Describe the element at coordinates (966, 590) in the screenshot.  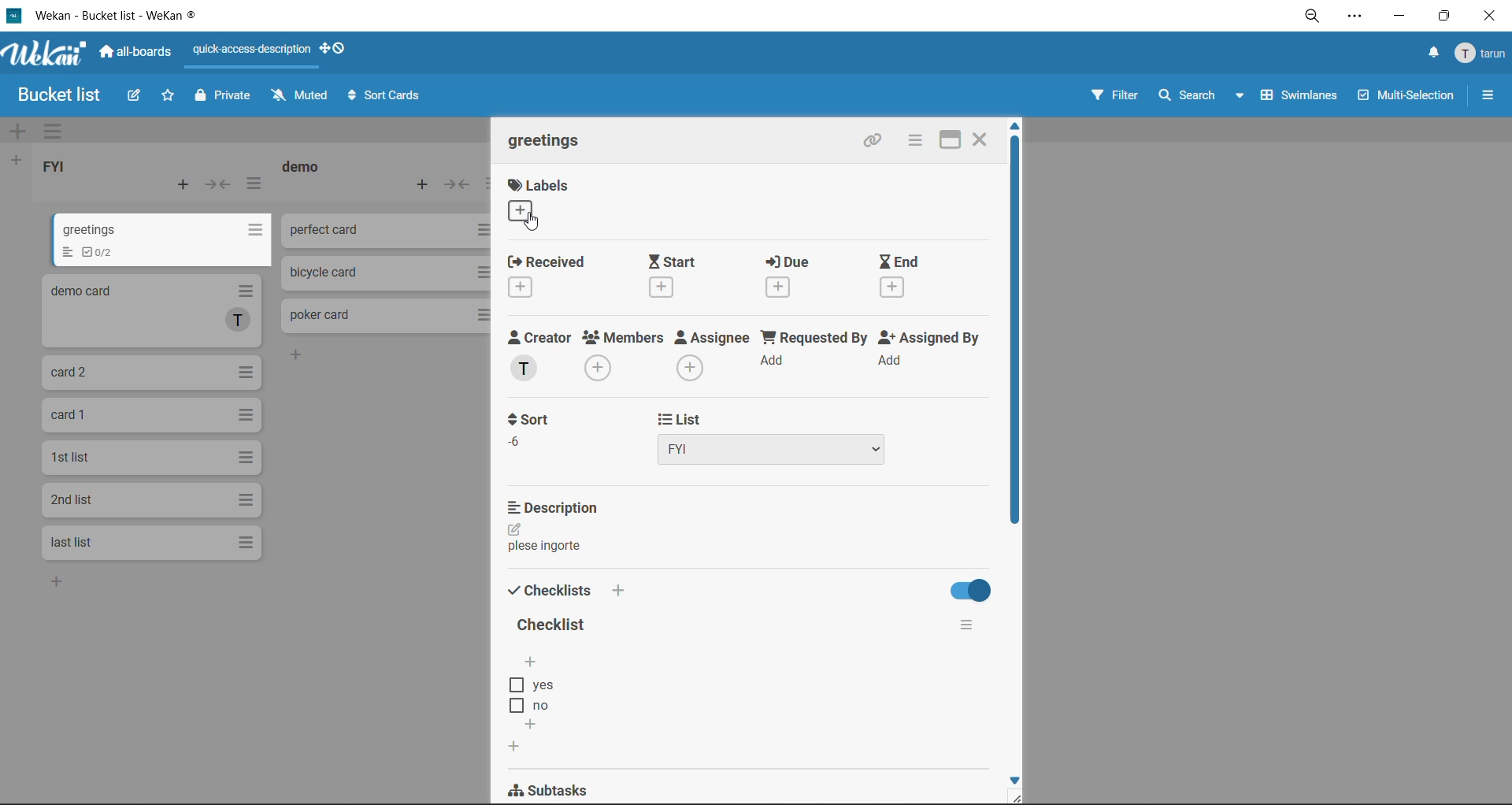
I see `hide finished checklist` at that location.